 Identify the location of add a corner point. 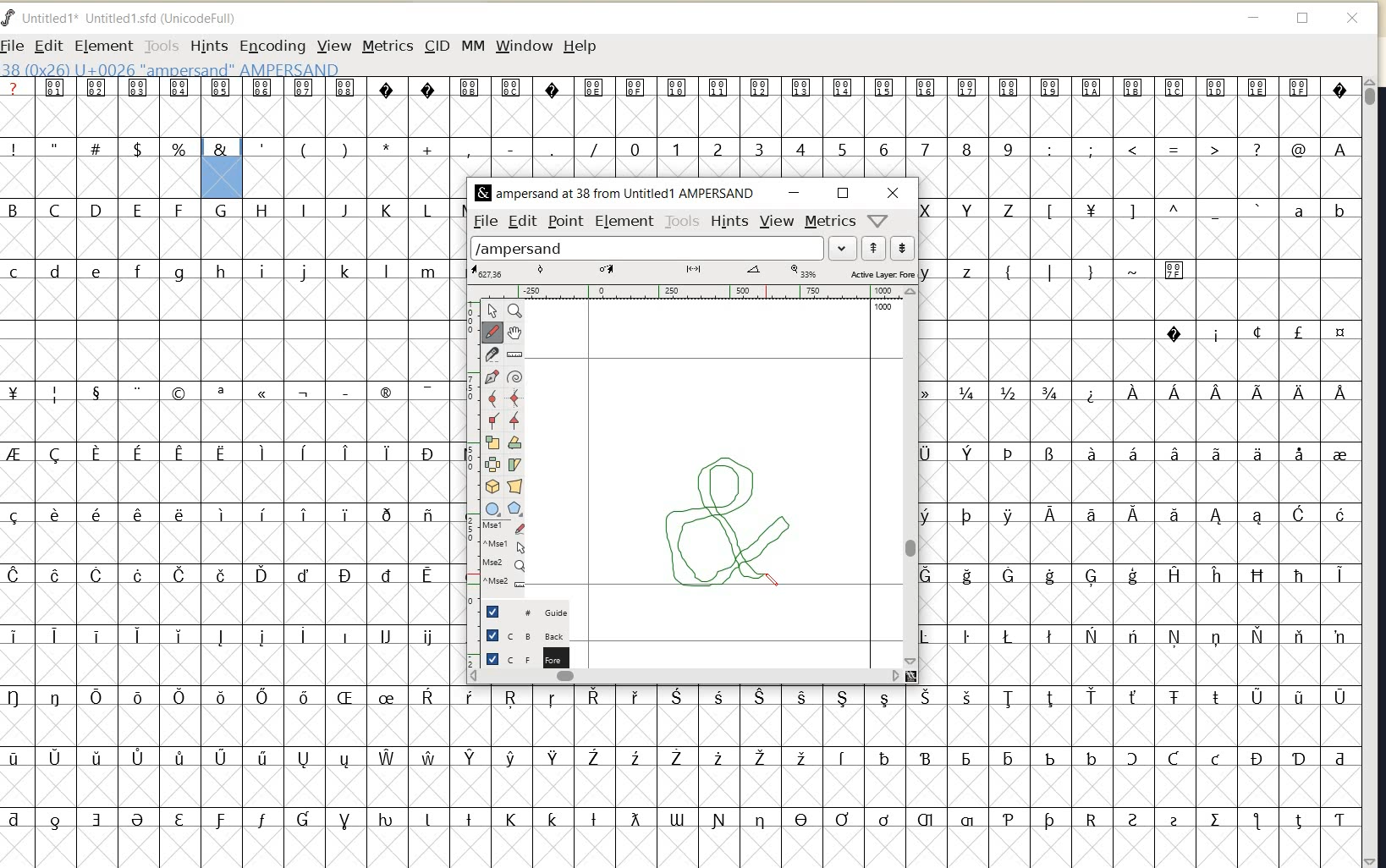
(492, 419).